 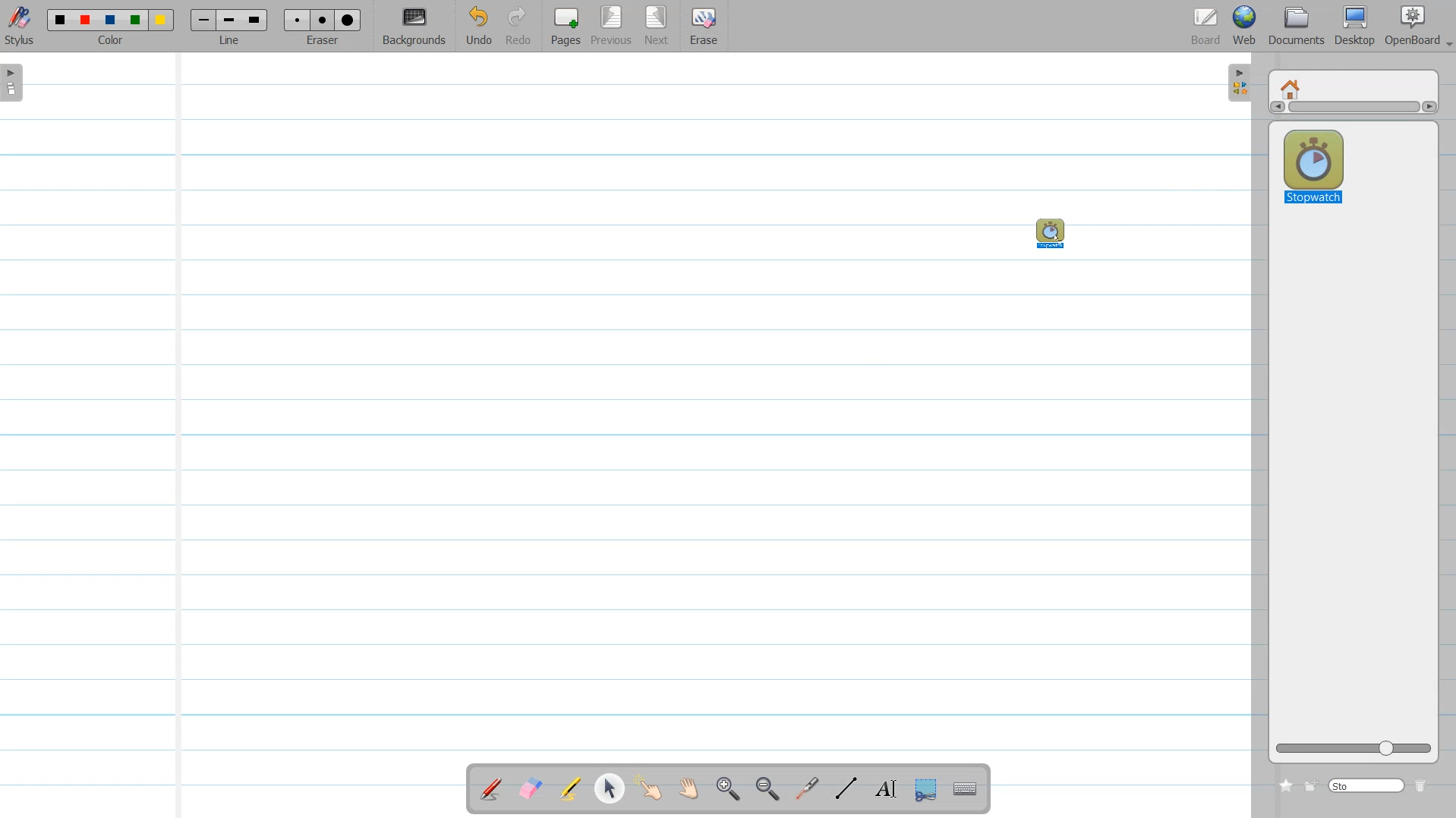 What do you see at coordinates (704, 27) in the screenshot?
I see `Erase` at bounding box center [704, 27].